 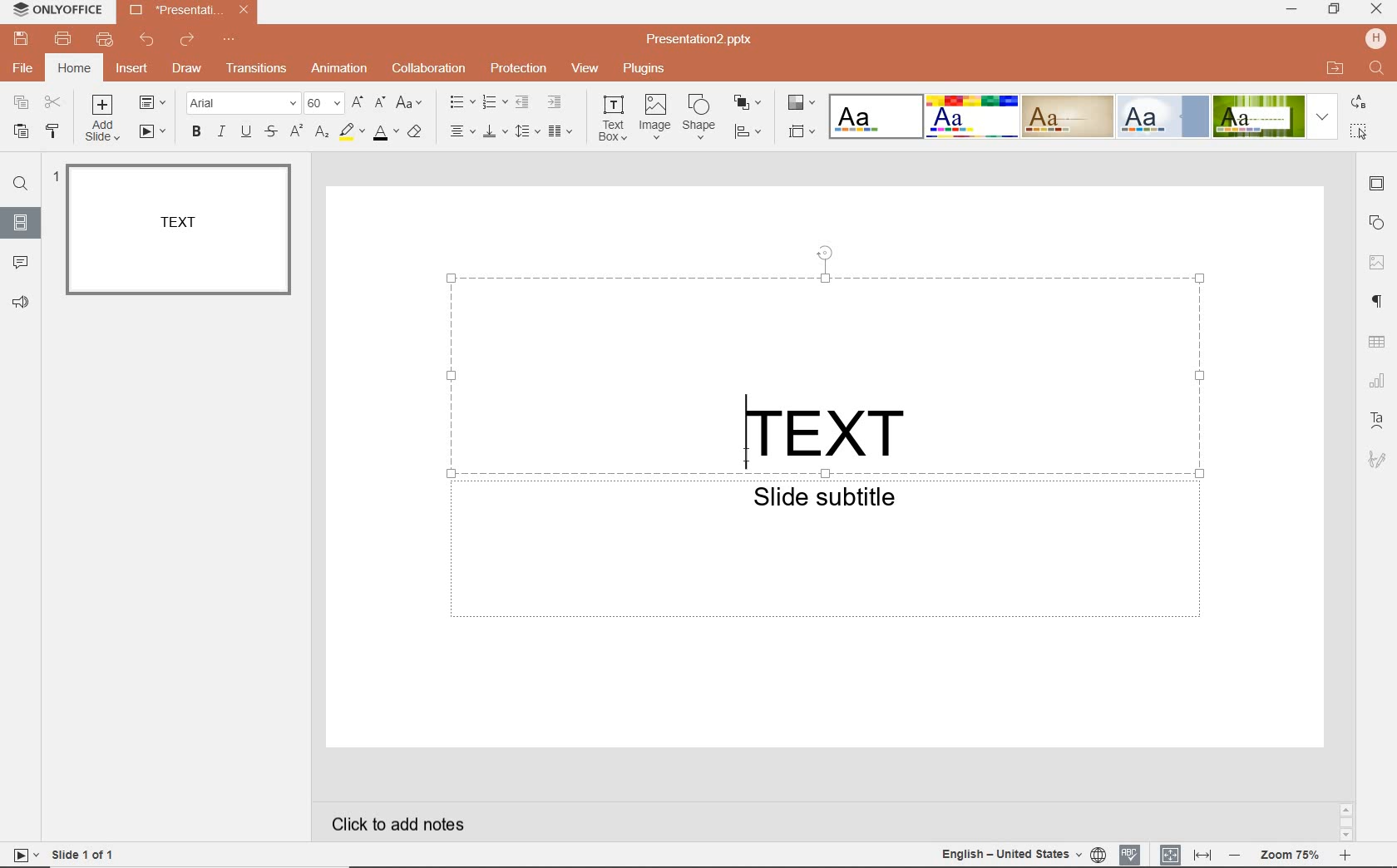 I want to click on CUT, so click(x=54, y=104).